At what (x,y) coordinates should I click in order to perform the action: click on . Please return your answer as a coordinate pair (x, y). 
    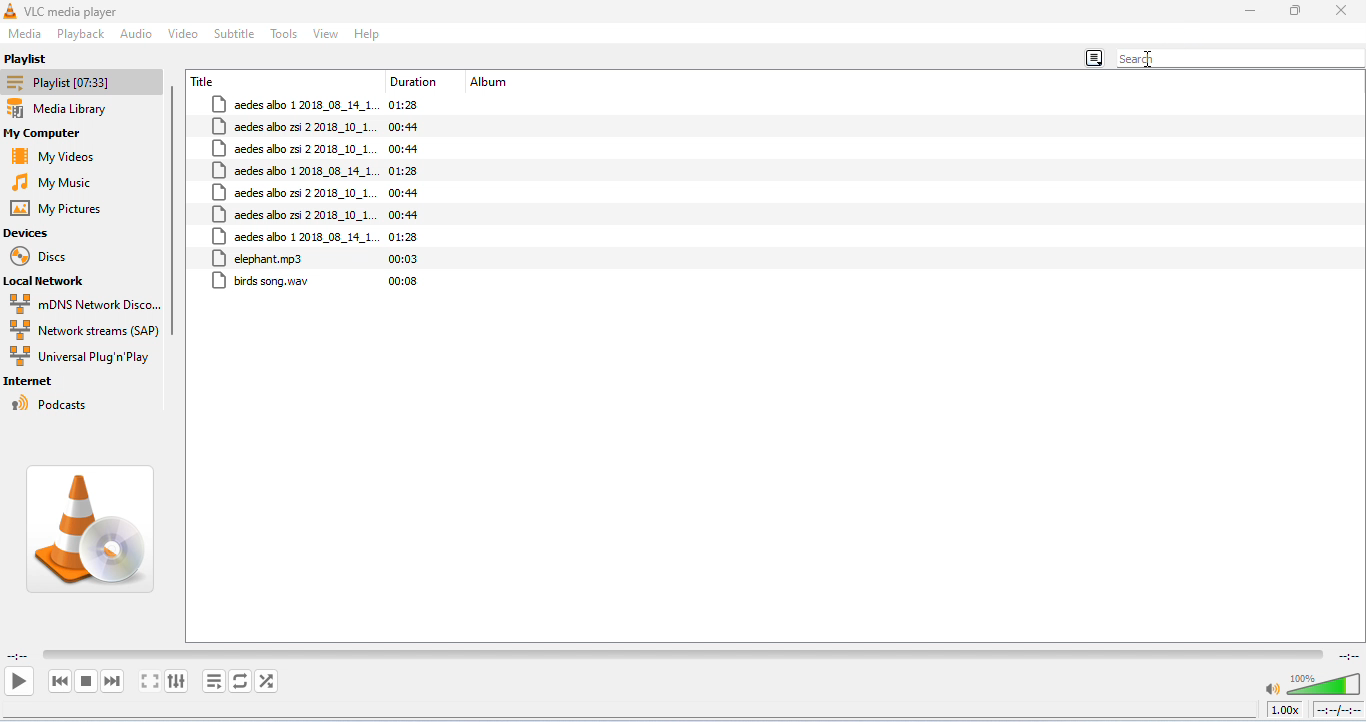
    Looking at the image, I should click on (1295, 11).